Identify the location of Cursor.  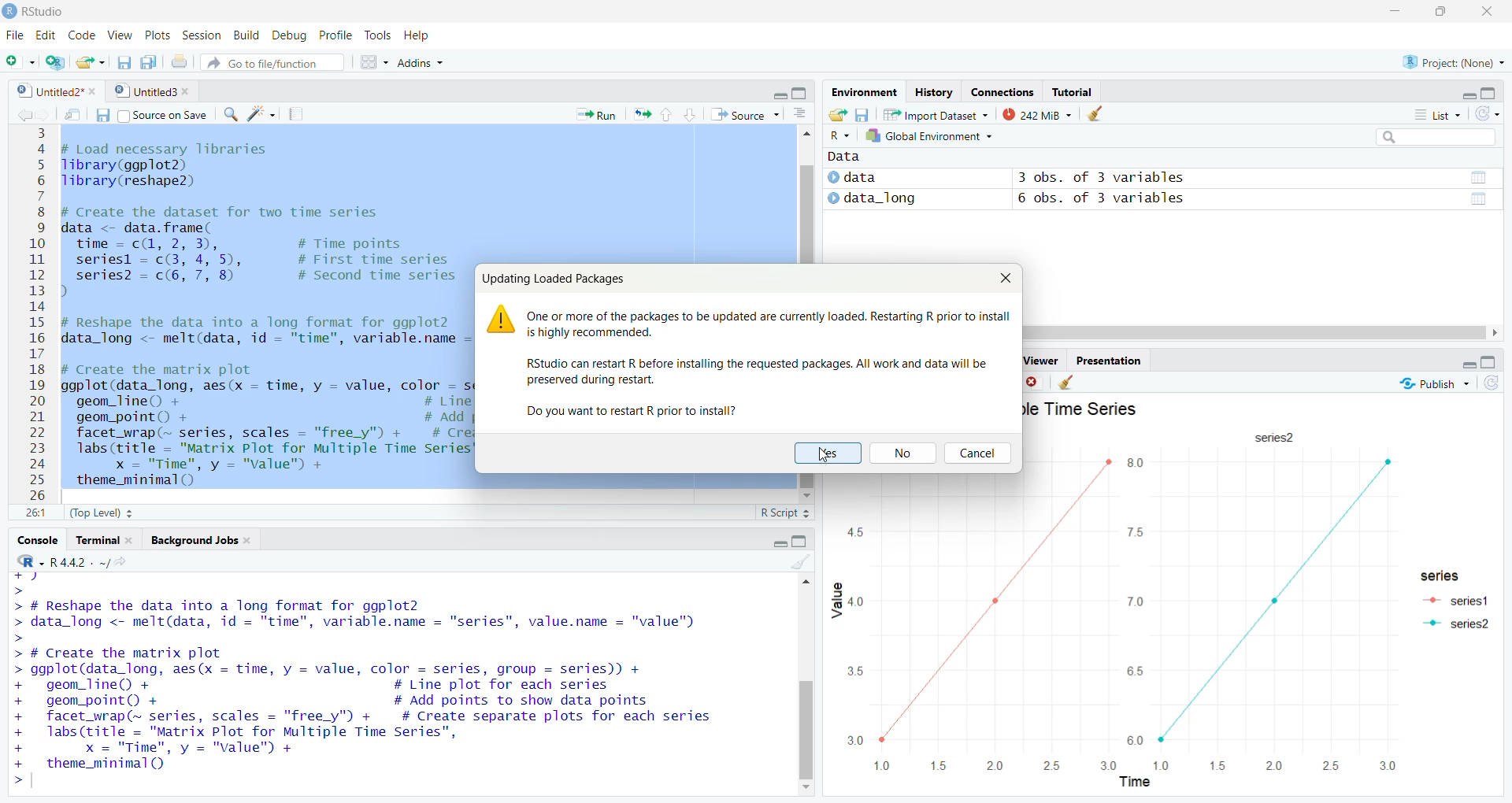
(826, 457).